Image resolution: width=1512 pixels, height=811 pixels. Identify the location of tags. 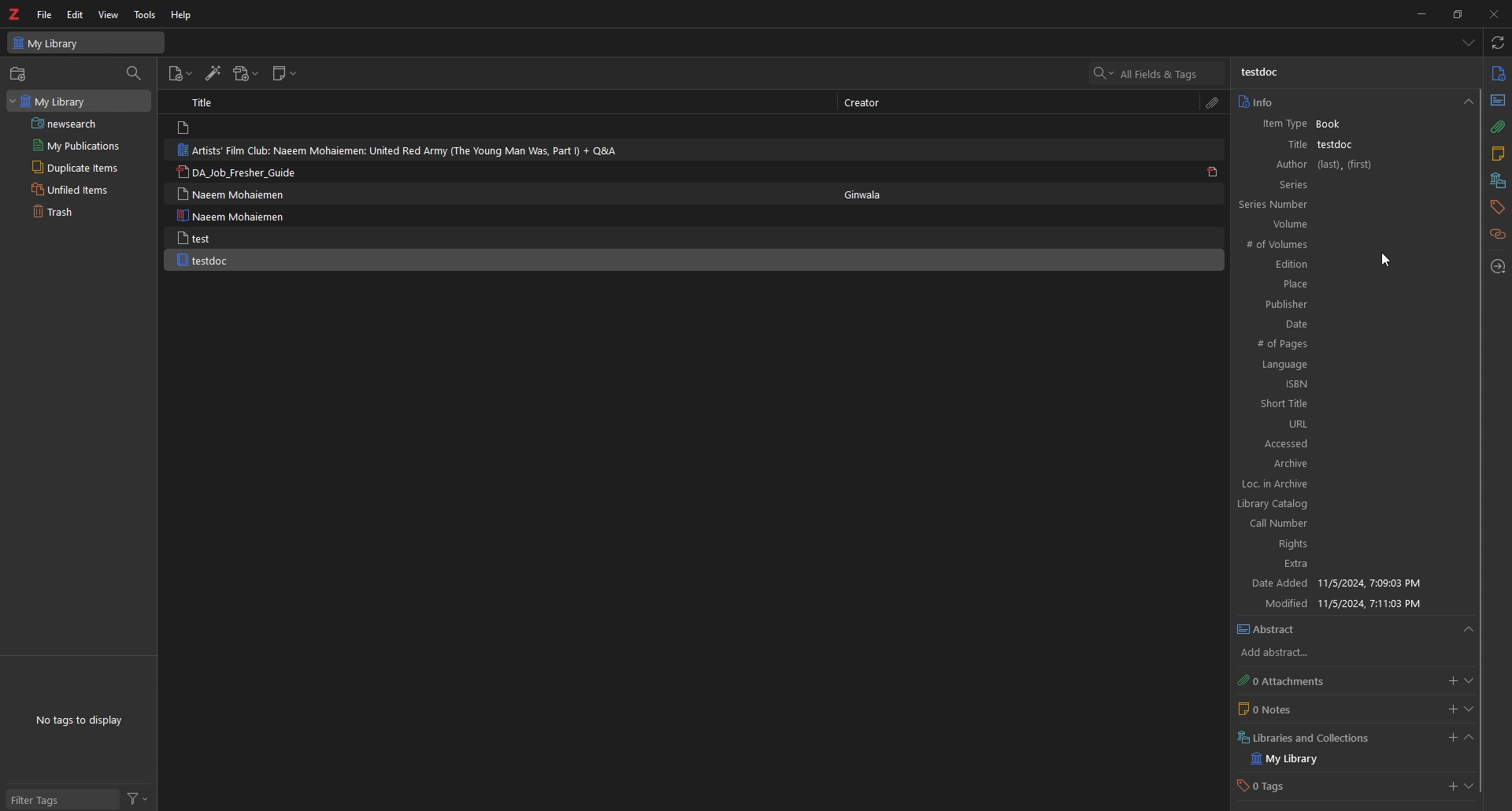
(1496, 208).